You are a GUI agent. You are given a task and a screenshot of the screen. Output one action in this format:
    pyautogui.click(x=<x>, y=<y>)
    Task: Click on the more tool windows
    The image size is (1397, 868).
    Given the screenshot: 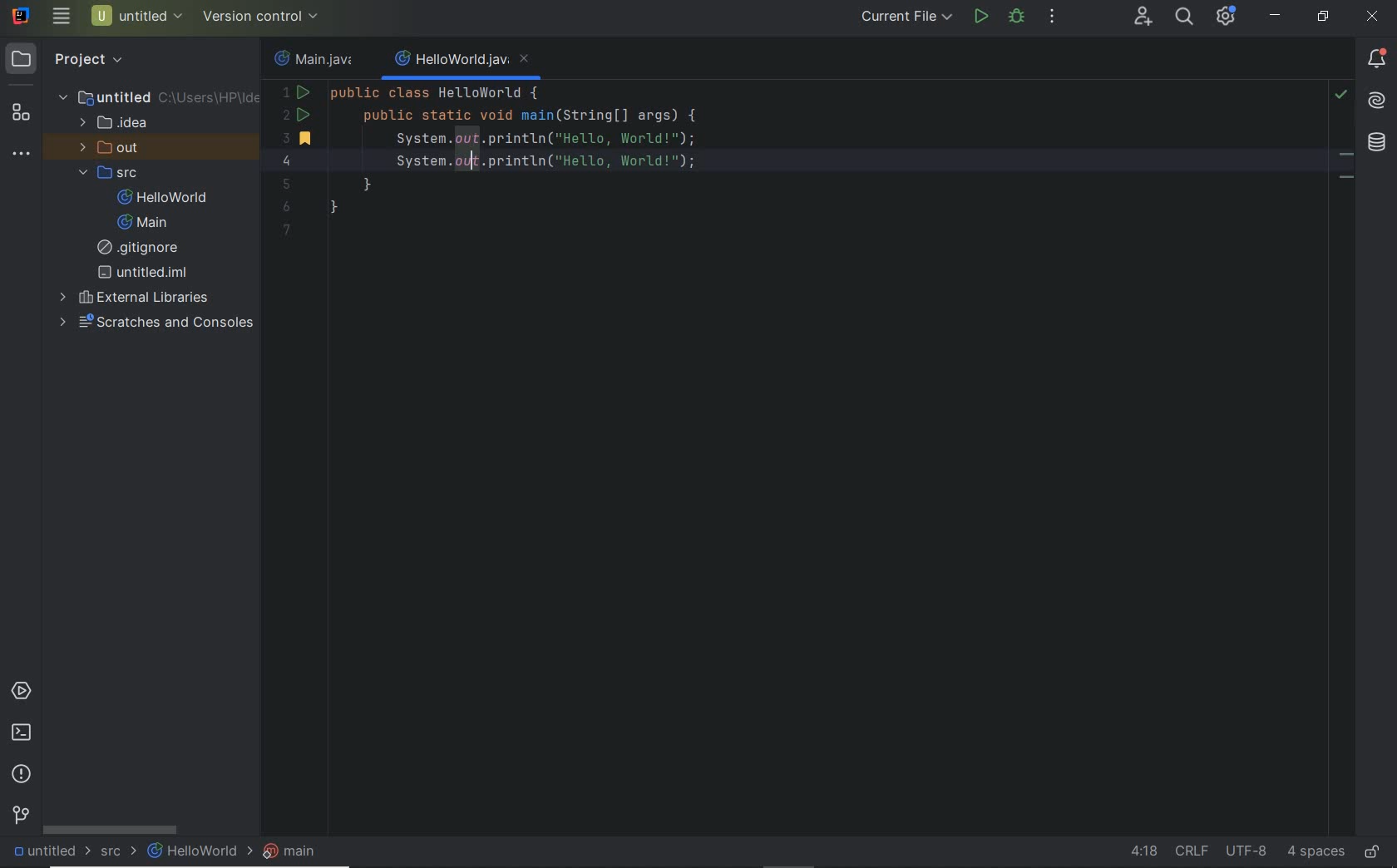 What is the action you would take?
    pyautogui.click(x=22, y=152)
    